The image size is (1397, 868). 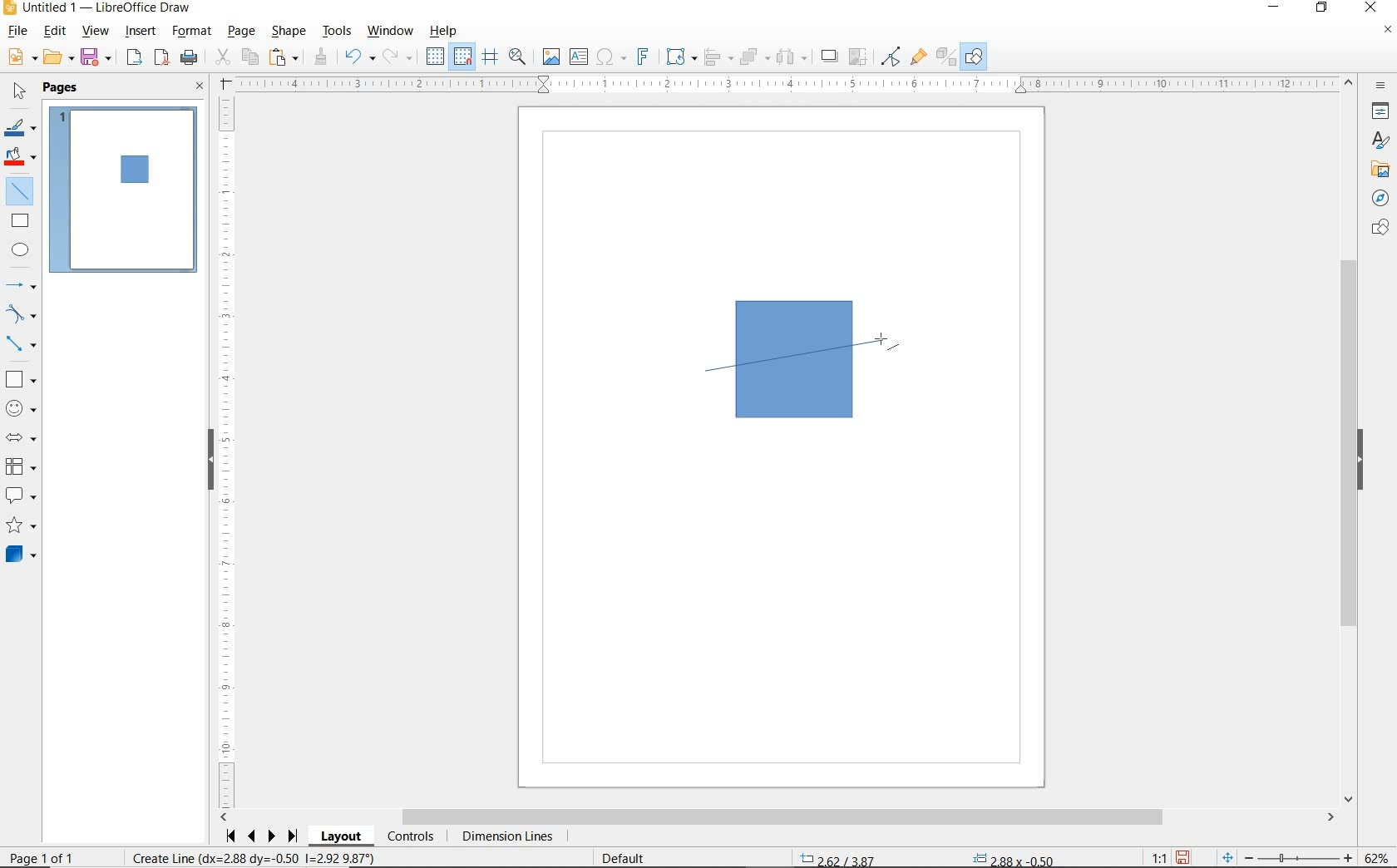 What do you see at coordinates (95, 31) in the screenshot?
I see `VIEW` at bounding box center [95, 31].